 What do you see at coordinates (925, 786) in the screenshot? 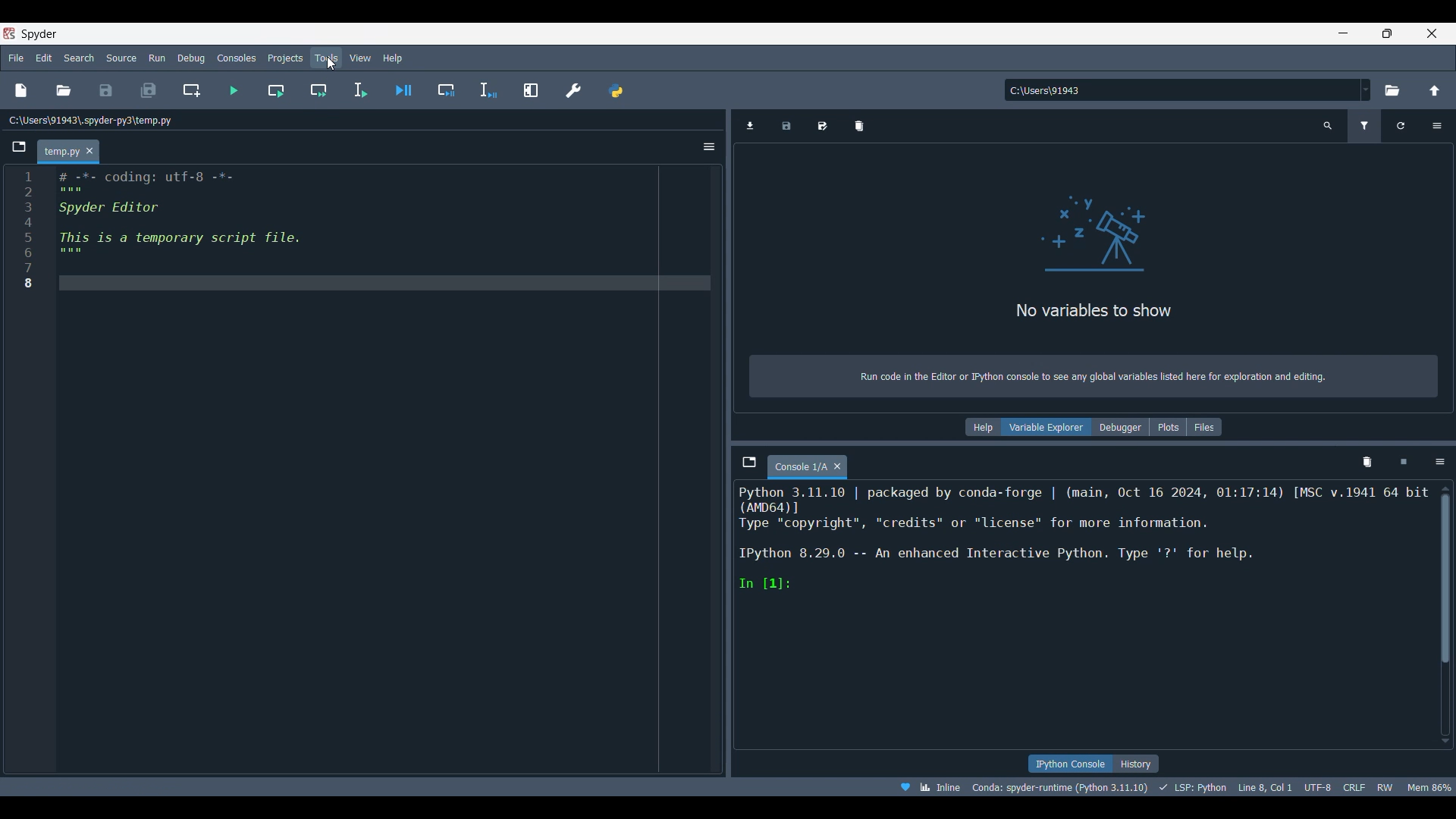
I see `inline` at bounding box center [925, 786].